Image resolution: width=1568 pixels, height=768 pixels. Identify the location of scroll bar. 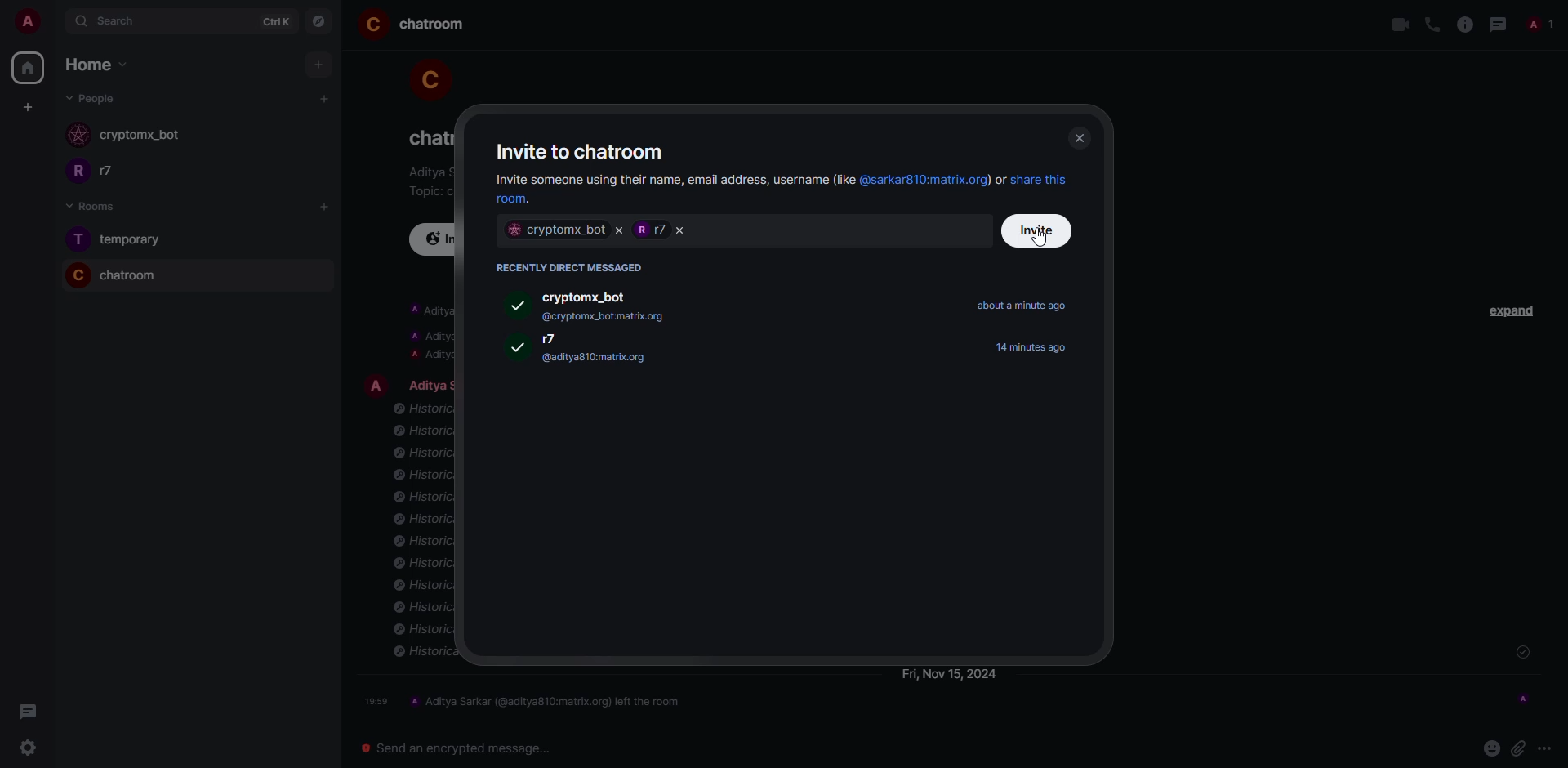
(1570, 495).